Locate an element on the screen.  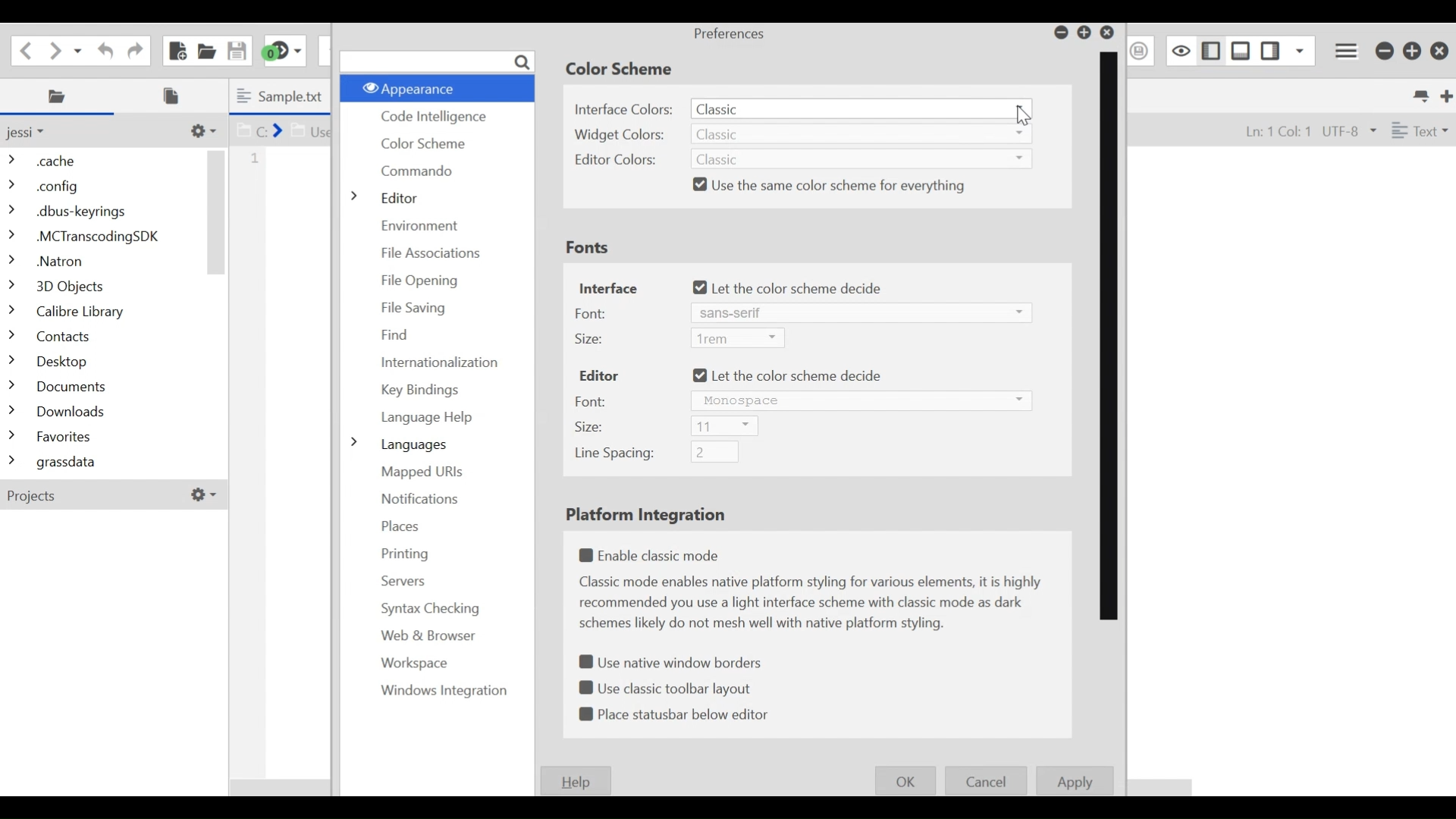
File Type dropdown menu is located at coordinates (1417, 129).